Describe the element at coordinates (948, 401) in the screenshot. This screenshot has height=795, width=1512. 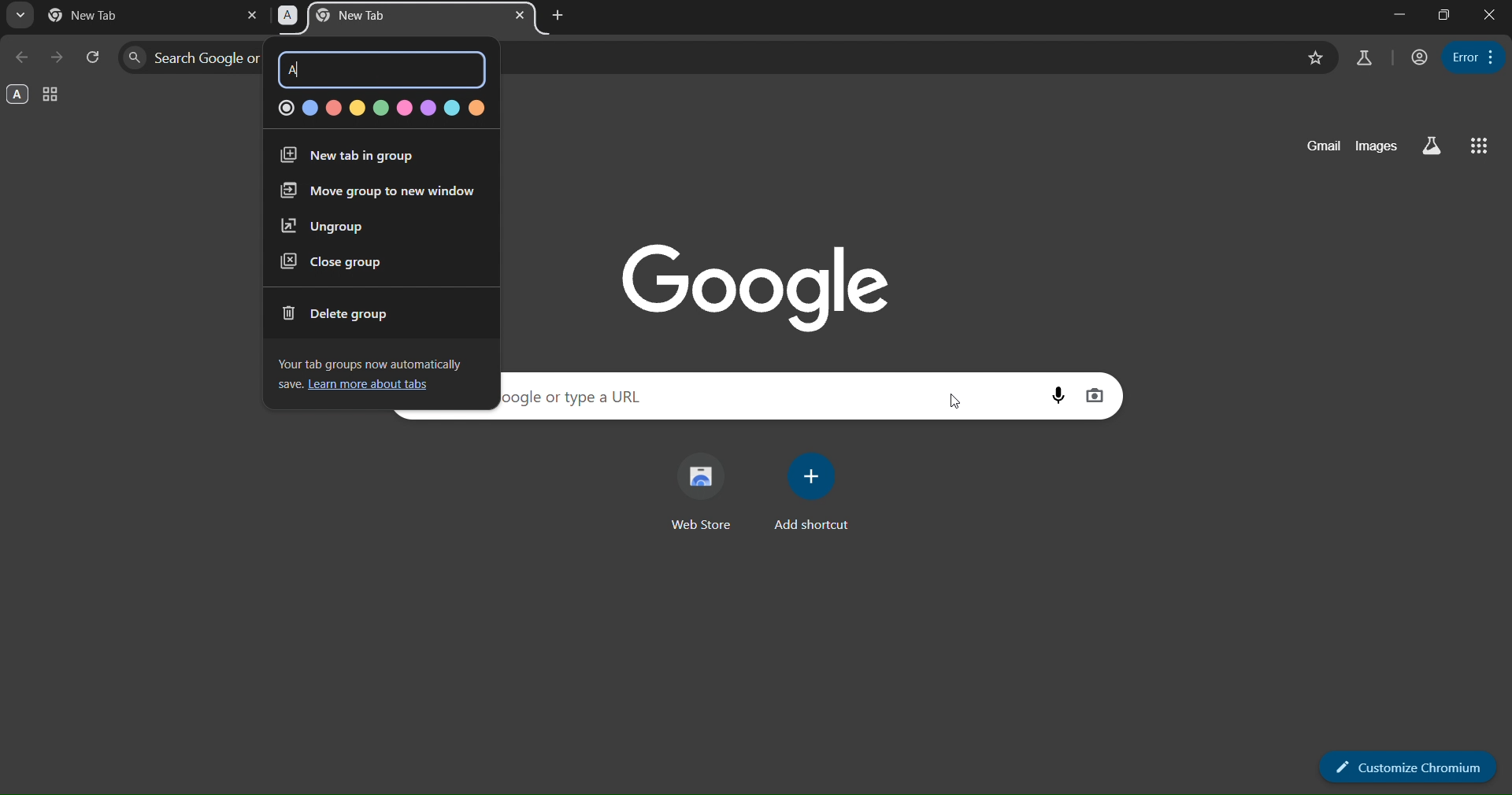
I see `cursor` at that location.